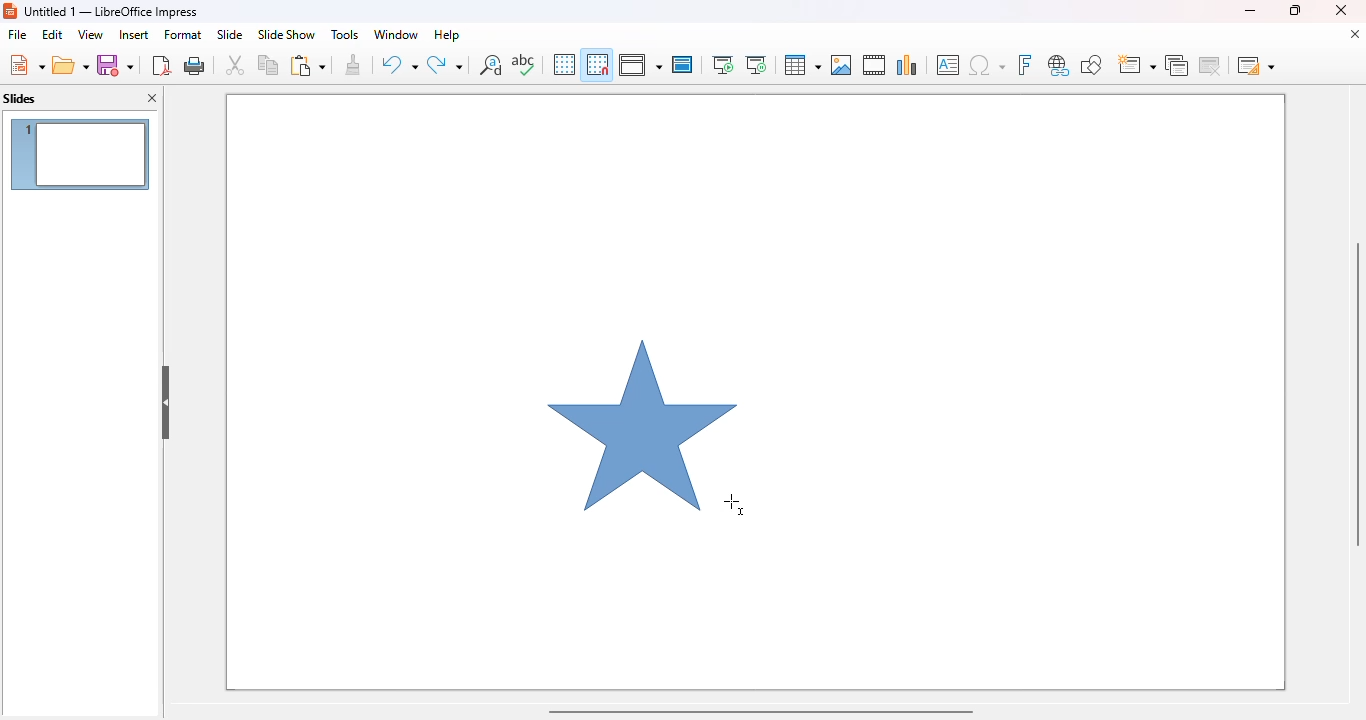 This screenshot has height=720, width=1366. Describe the element at coordinates (722, 65) in the screenshot. I see `start from first slide` at that location.